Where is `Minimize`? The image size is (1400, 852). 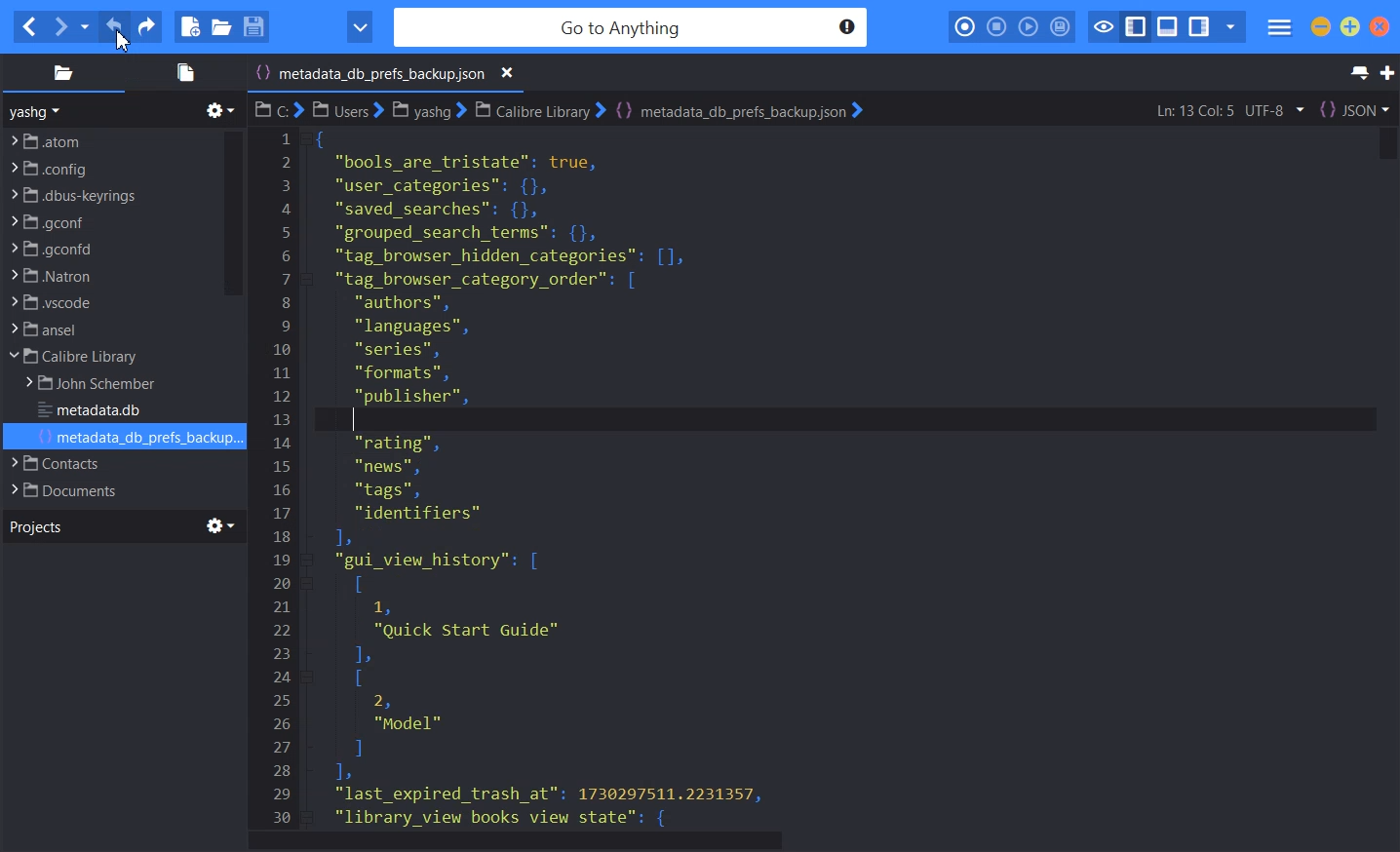
Minimize is located at coordinates (1321, 26).